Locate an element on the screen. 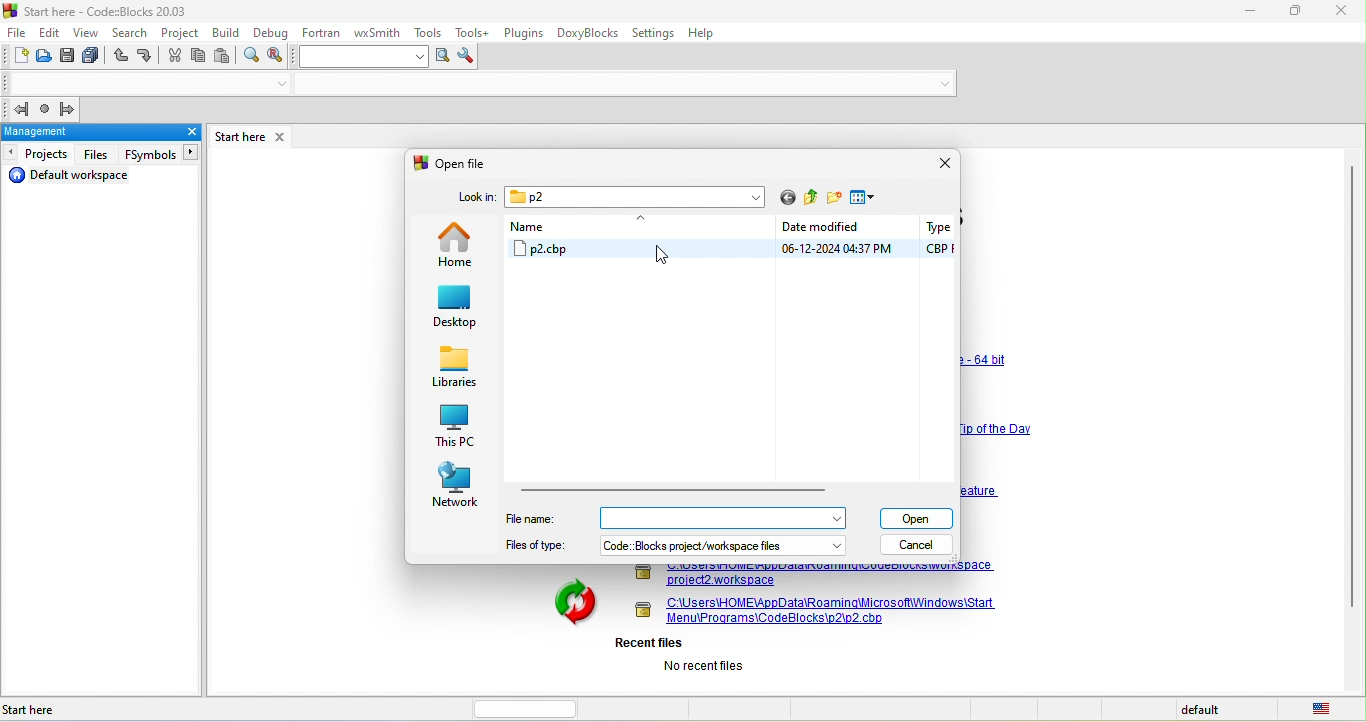 This screenshot has width=1366, height=722. project link  is located at coordinates (821, 611).